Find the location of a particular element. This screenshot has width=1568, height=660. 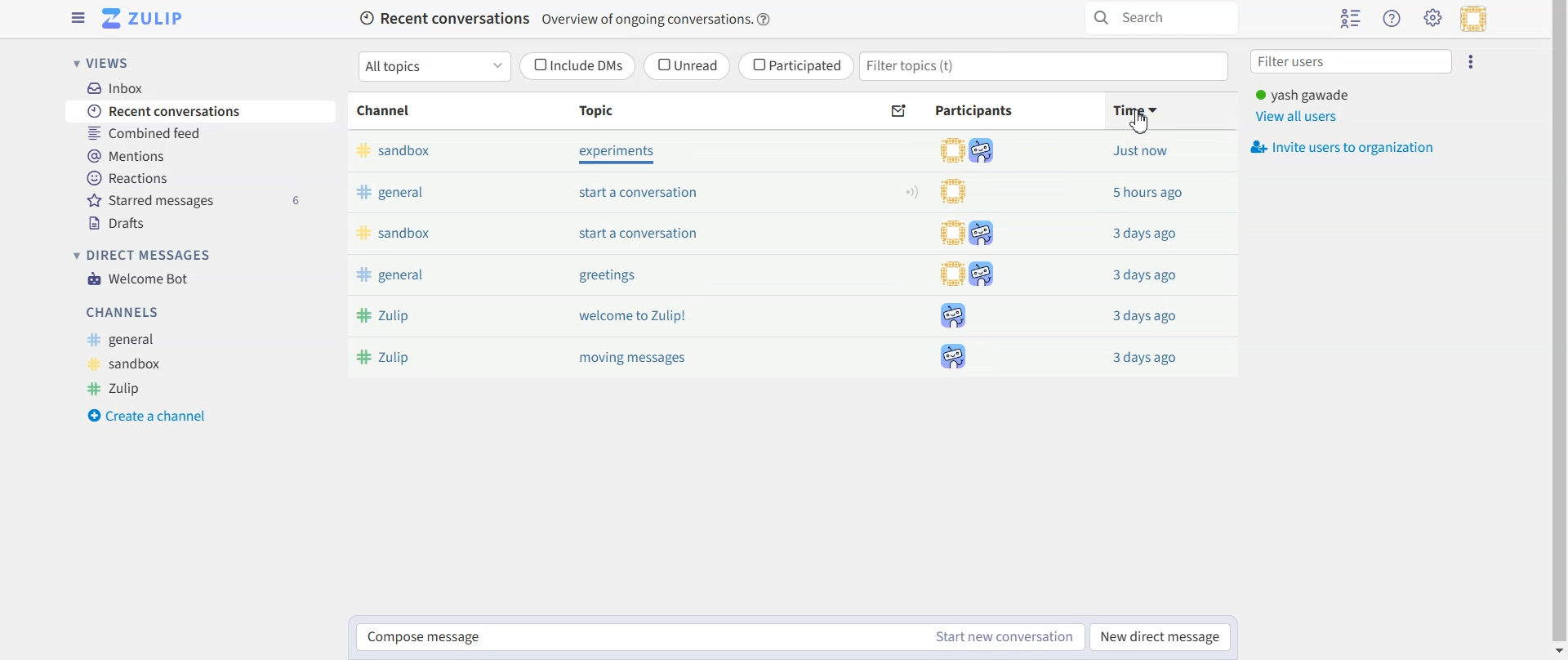

Help menu is located at coordinates (1393, 19).